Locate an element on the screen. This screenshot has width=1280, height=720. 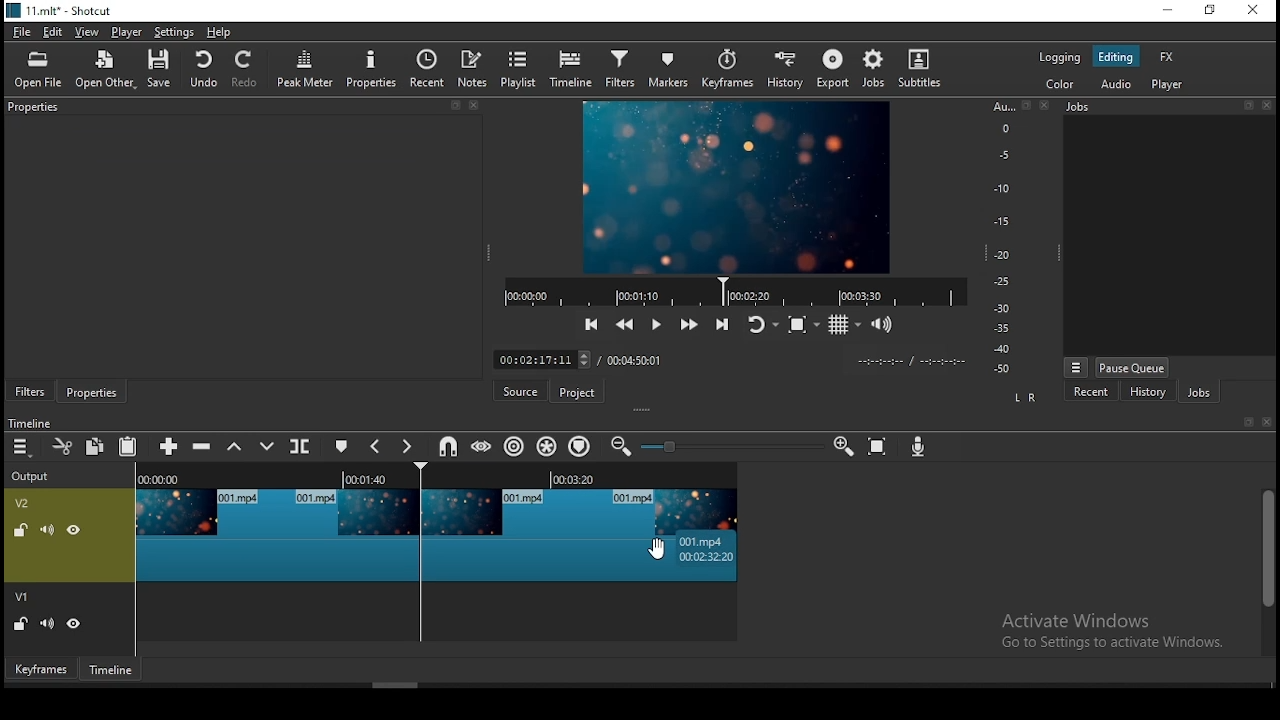
toggle player after looping is located at coordinates (763, 322).